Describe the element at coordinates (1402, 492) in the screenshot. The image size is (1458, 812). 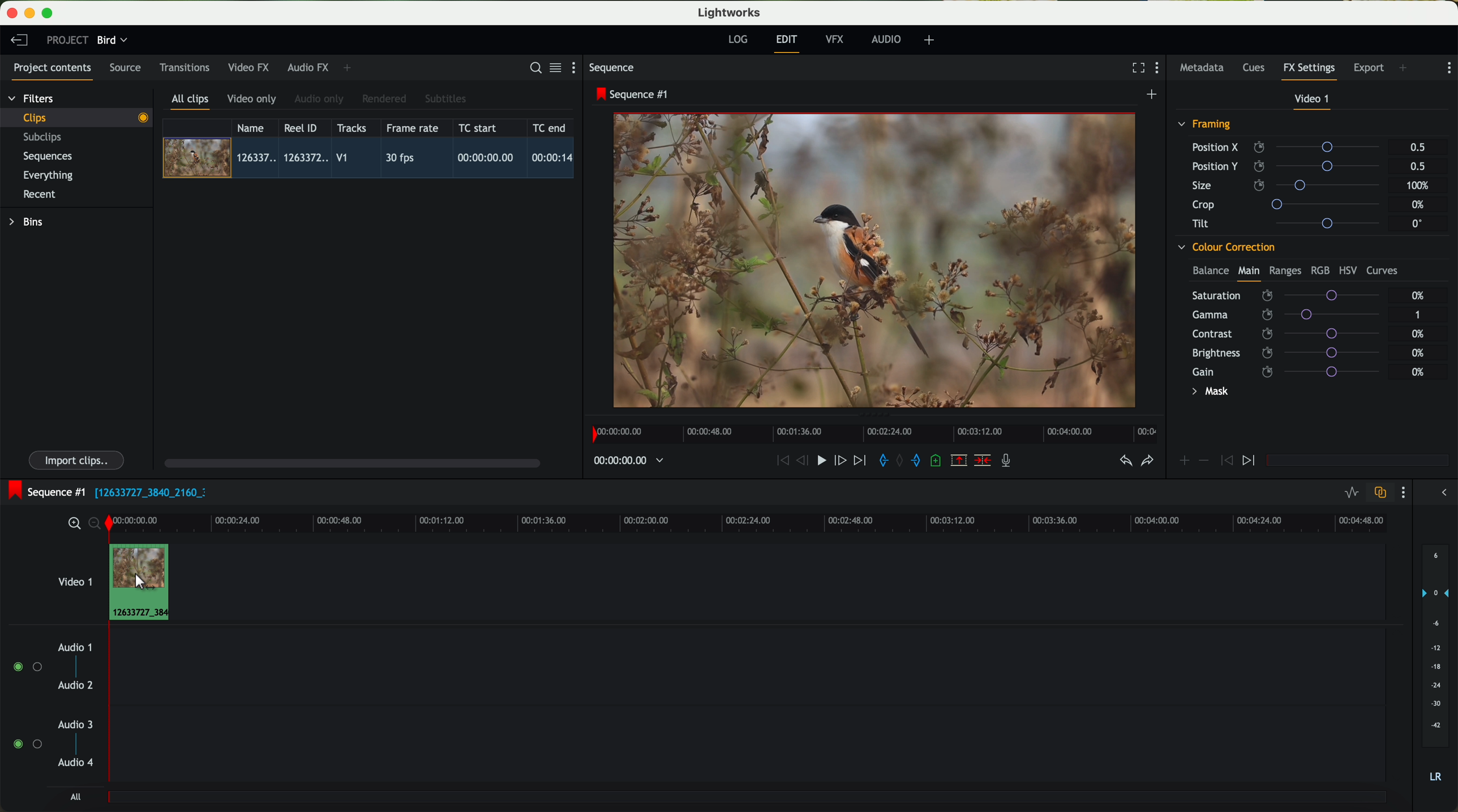
I see `show settings menu` at that location.